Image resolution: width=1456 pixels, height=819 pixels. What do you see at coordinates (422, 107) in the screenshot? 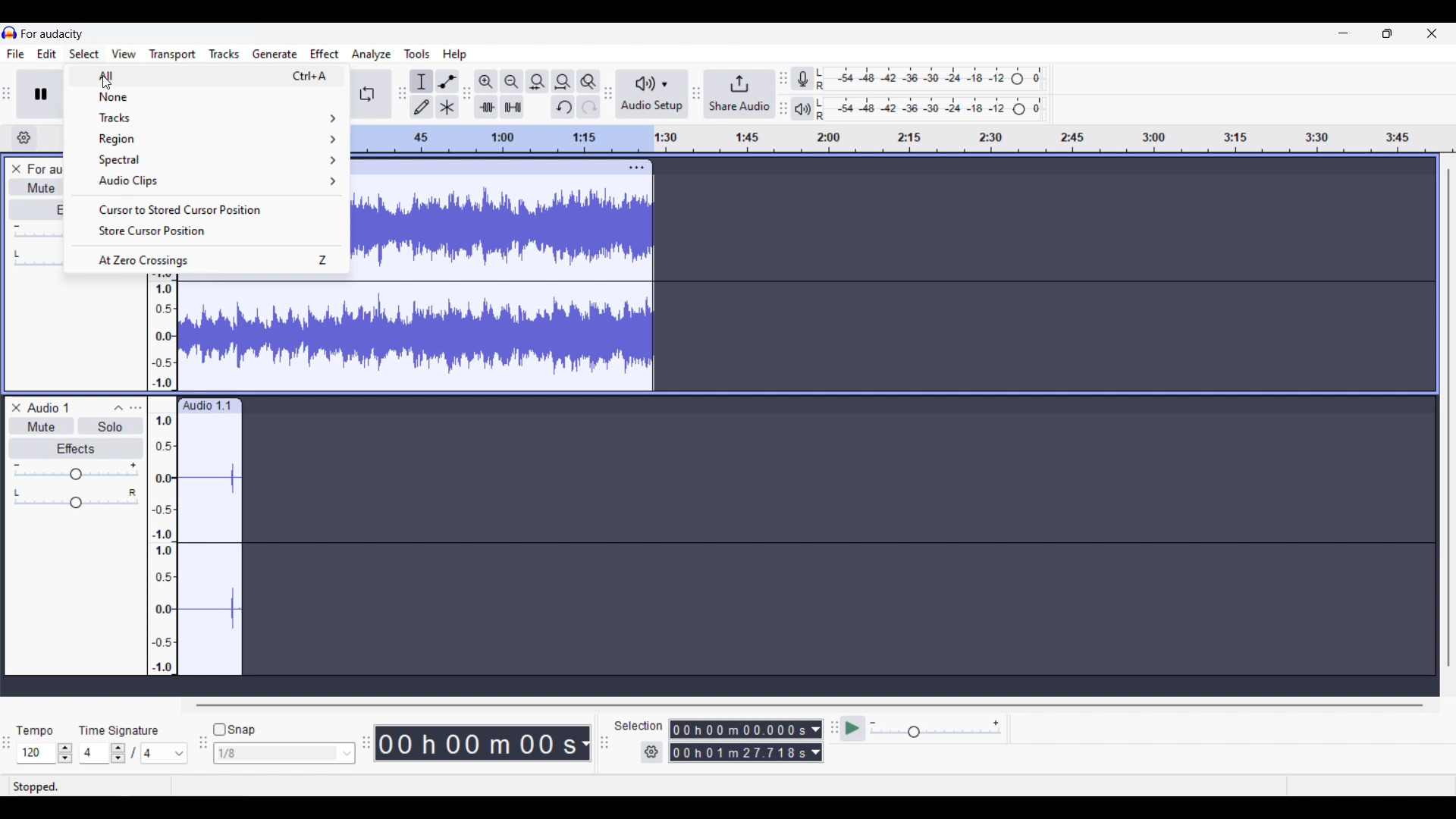
I see `Draw tool` at bounding box center [422, 107].